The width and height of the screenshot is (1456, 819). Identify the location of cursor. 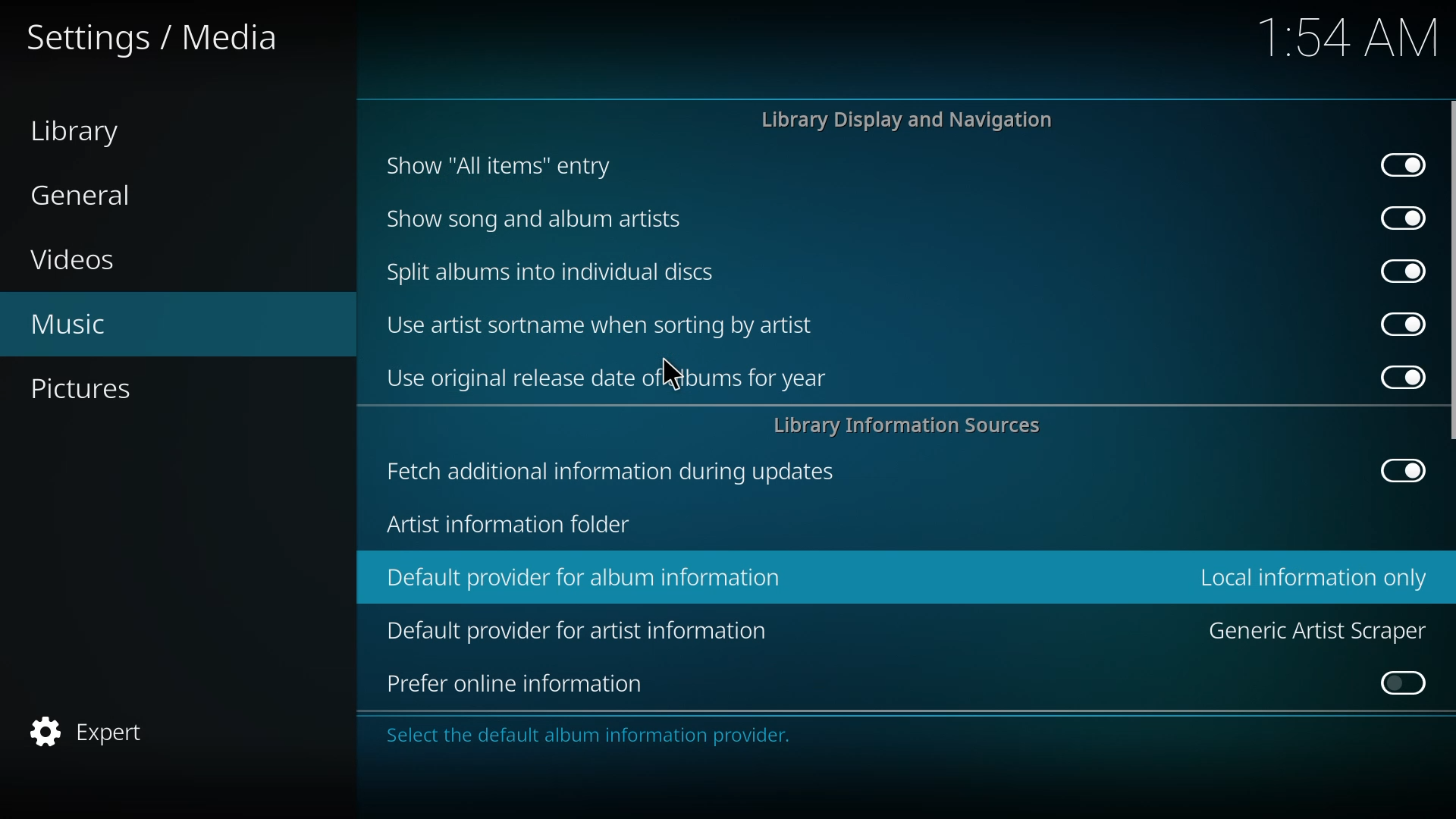
(673, 375).